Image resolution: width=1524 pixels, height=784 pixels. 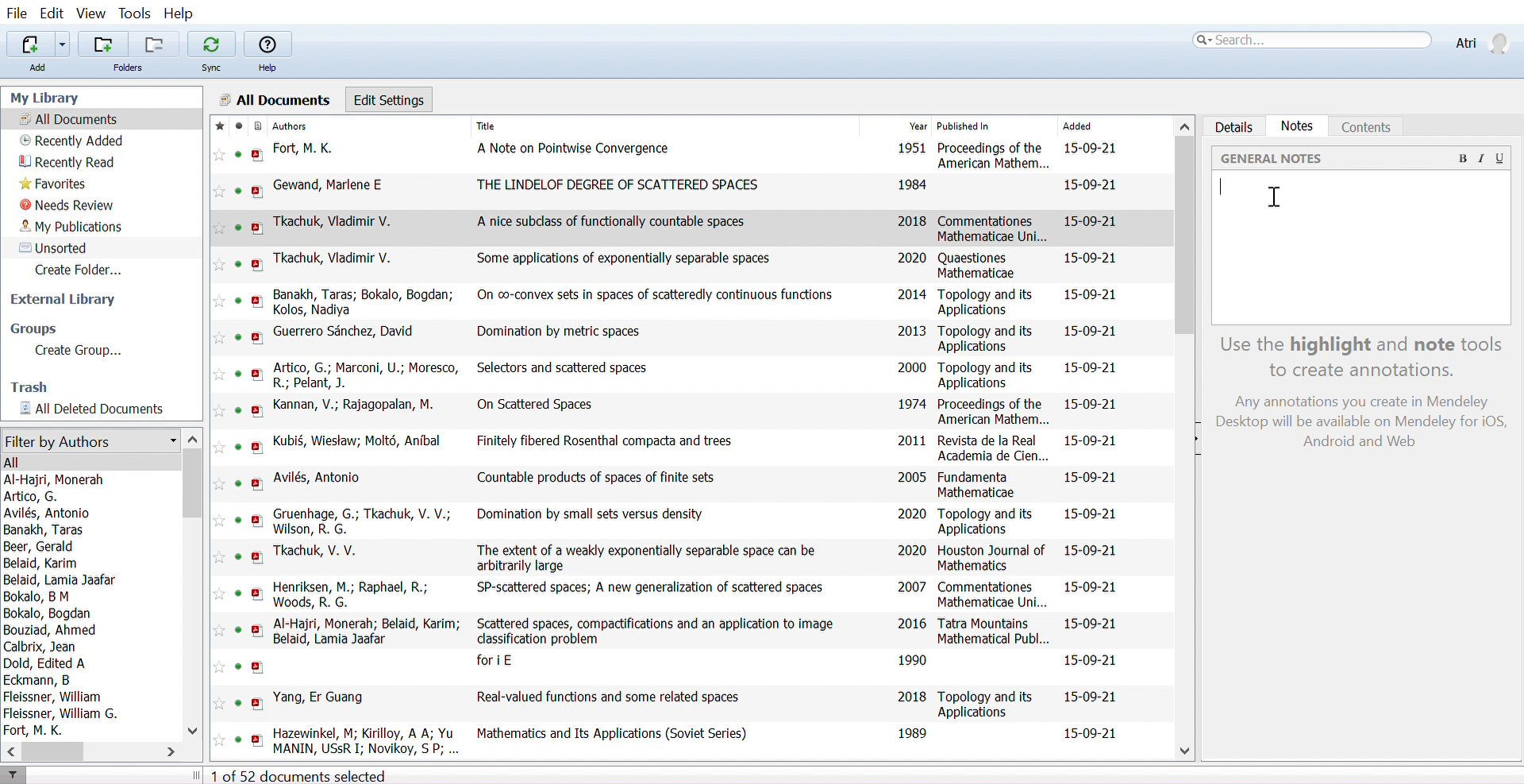 I want to click on A Note on Pointwise Convergence, so click(x=574, y=150).